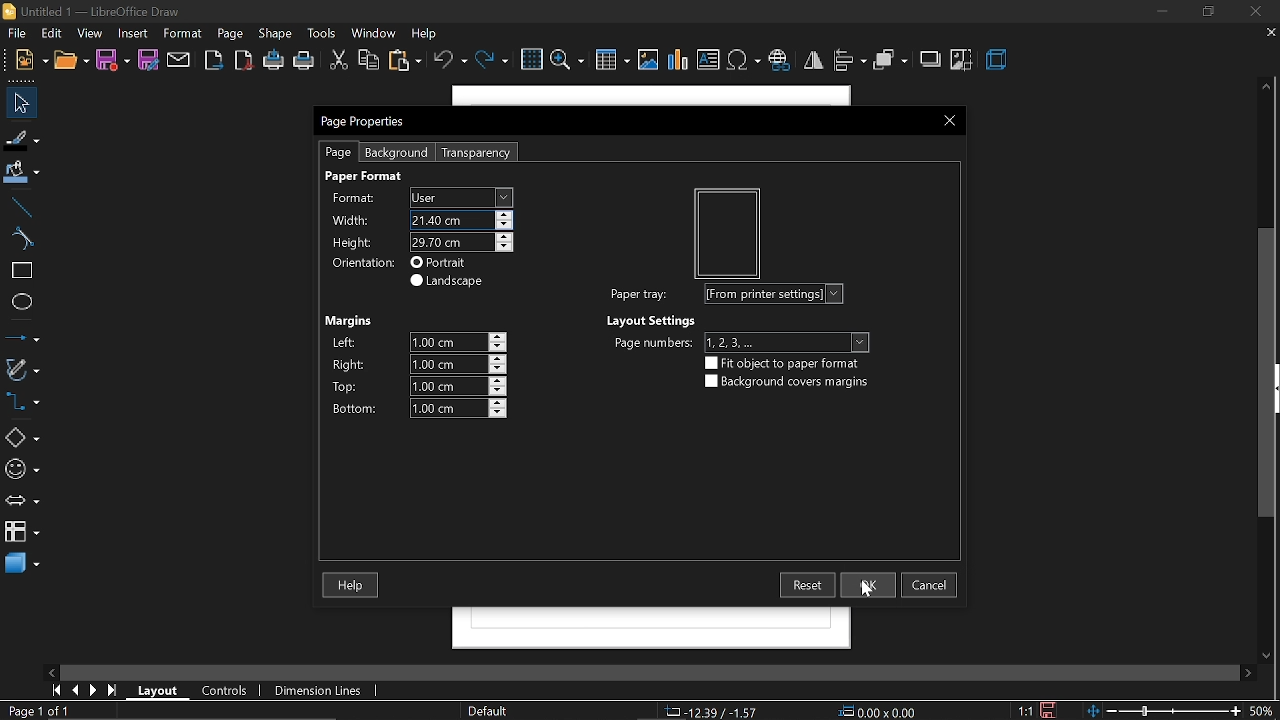 The width and height of the screenshot is (1280, 720). What do you see at coordinates (774, 294) in the screenshot?
I see `From printer settings` at bounding box center [774, 294].